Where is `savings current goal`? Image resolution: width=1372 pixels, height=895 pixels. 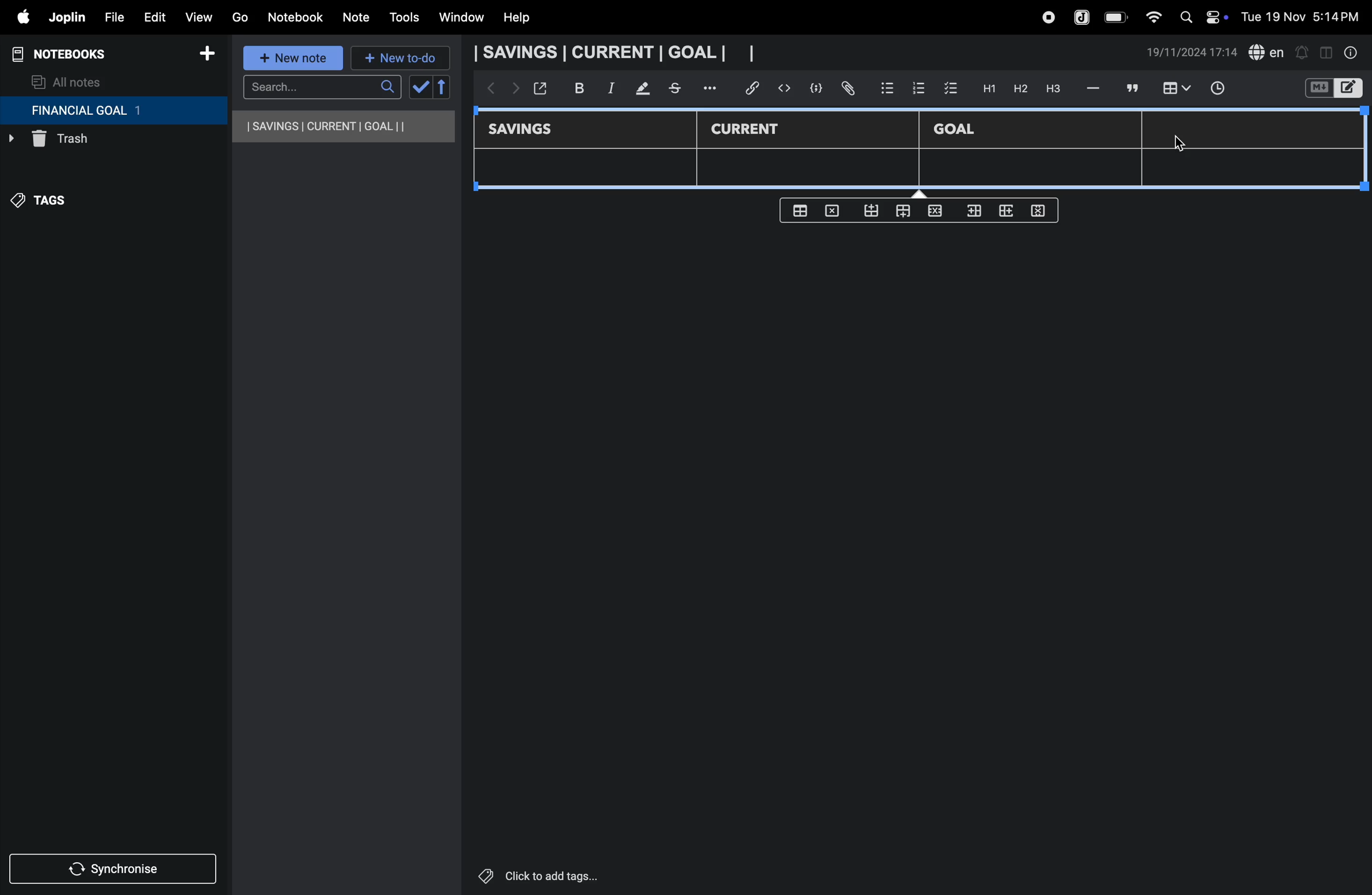
savings current goal is located at coordinates (345, 126).